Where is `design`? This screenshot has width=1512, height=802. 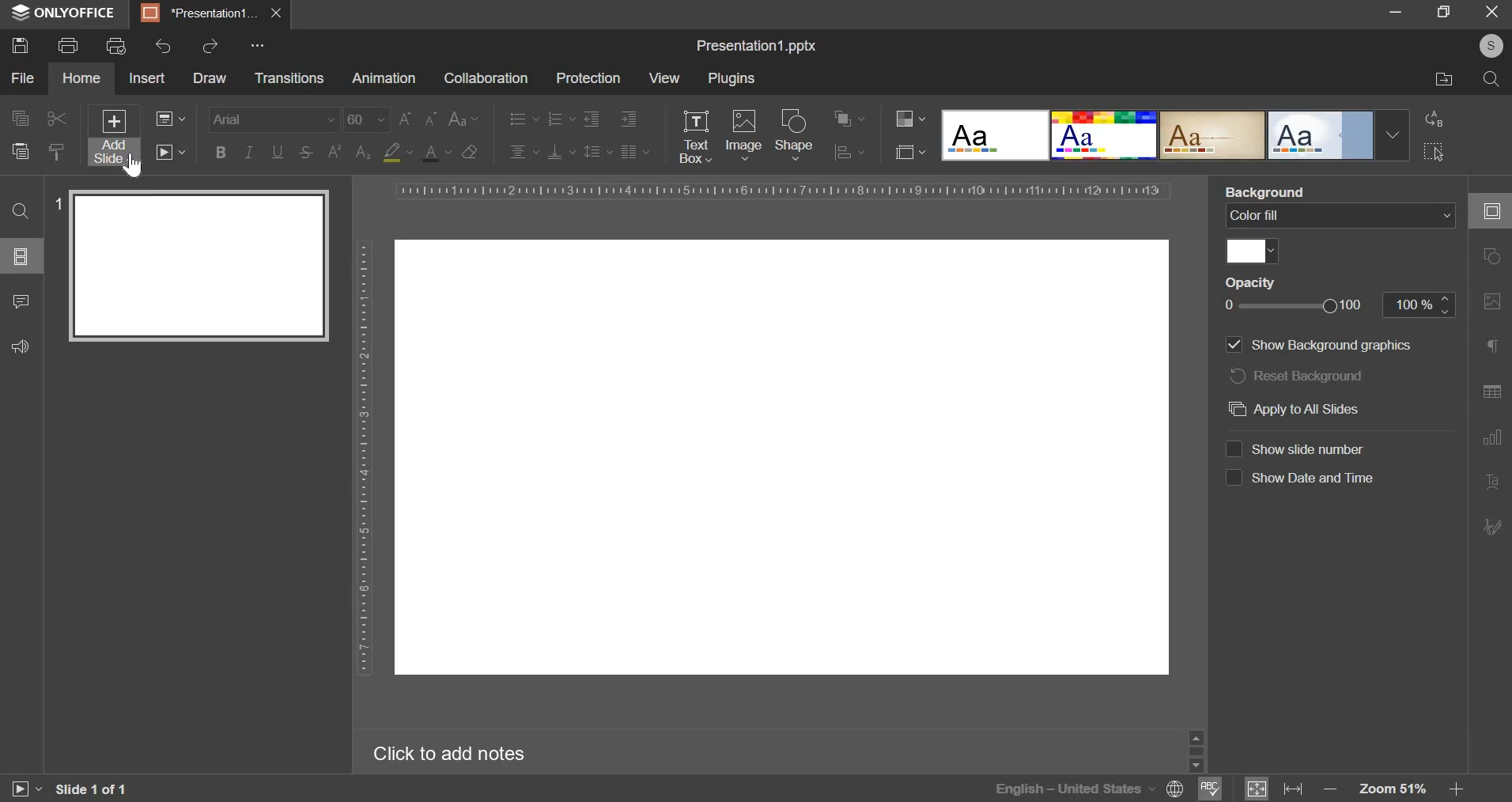 design is located at coordinates (1175, 134).